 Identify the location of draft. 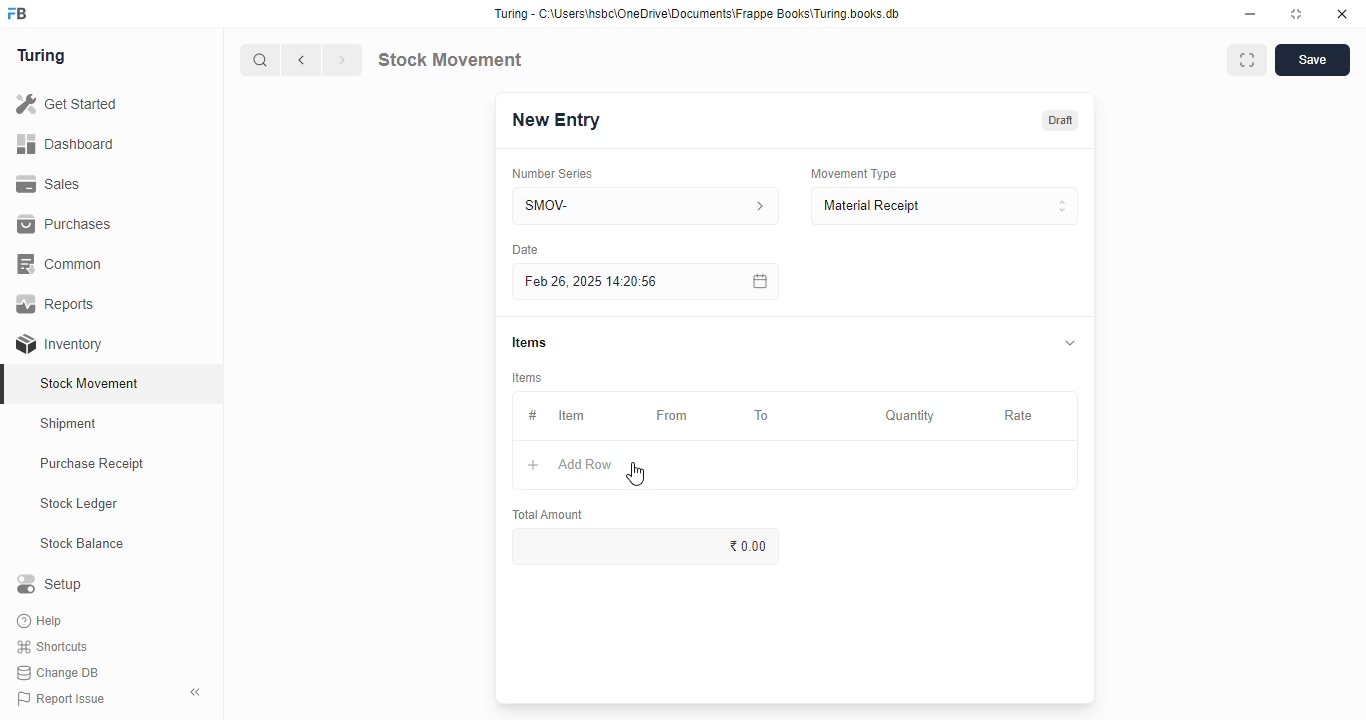
(1062, 120).